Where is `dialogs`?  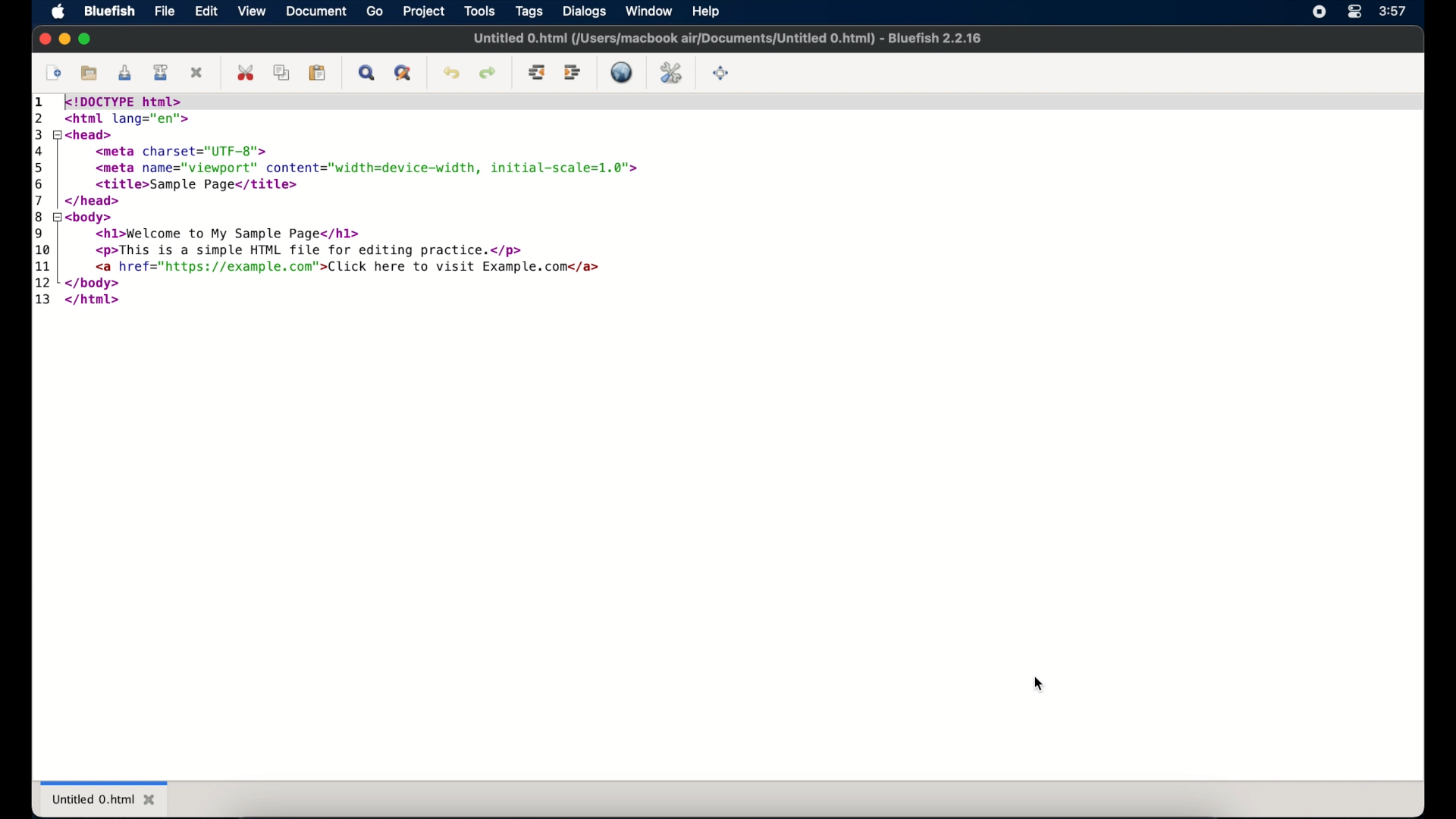
dialogs is located at coordinates (584, 11).